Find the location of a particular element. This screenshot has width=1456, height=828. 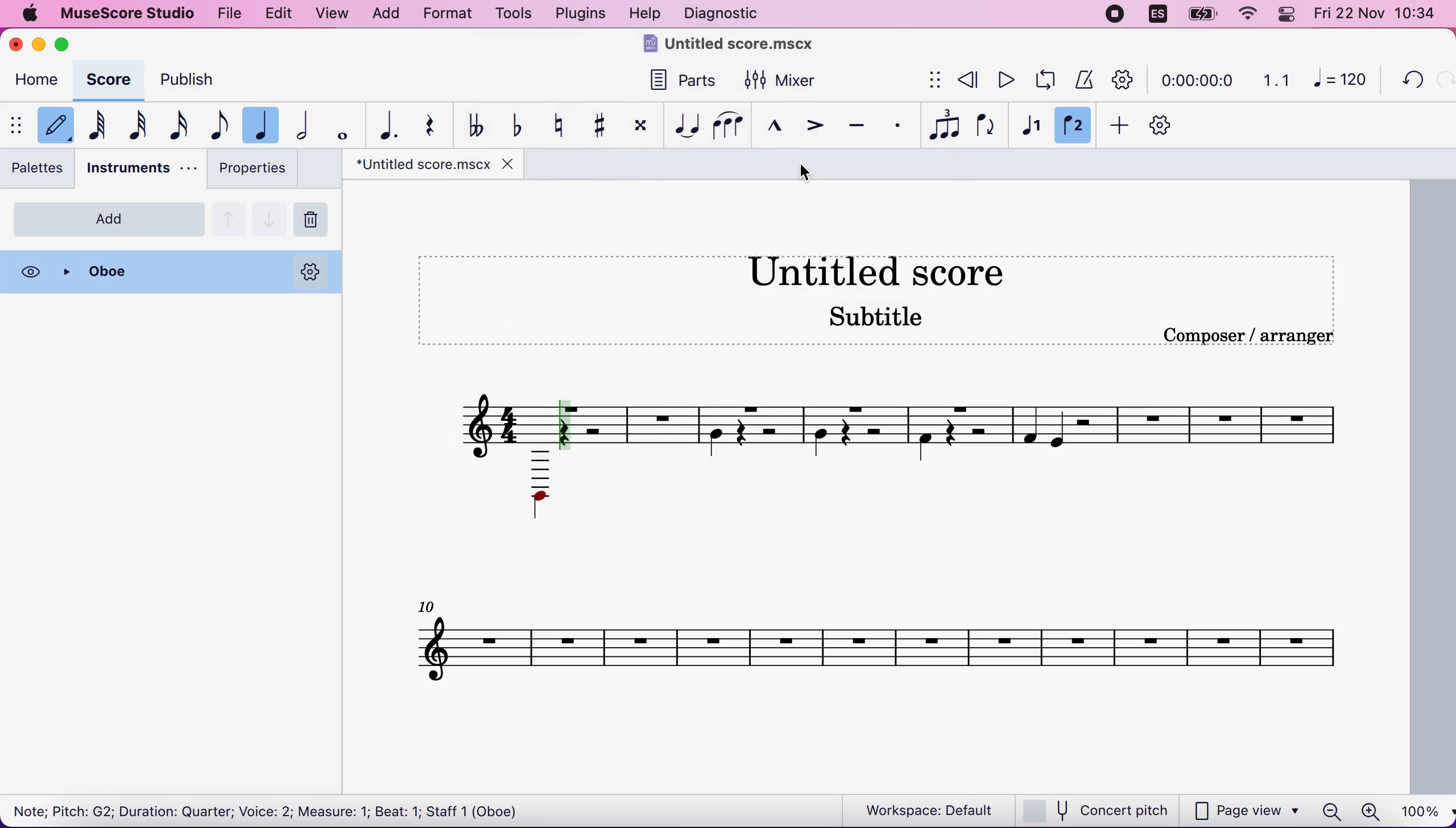

voice 1 is located at coordinates (1032, 123).